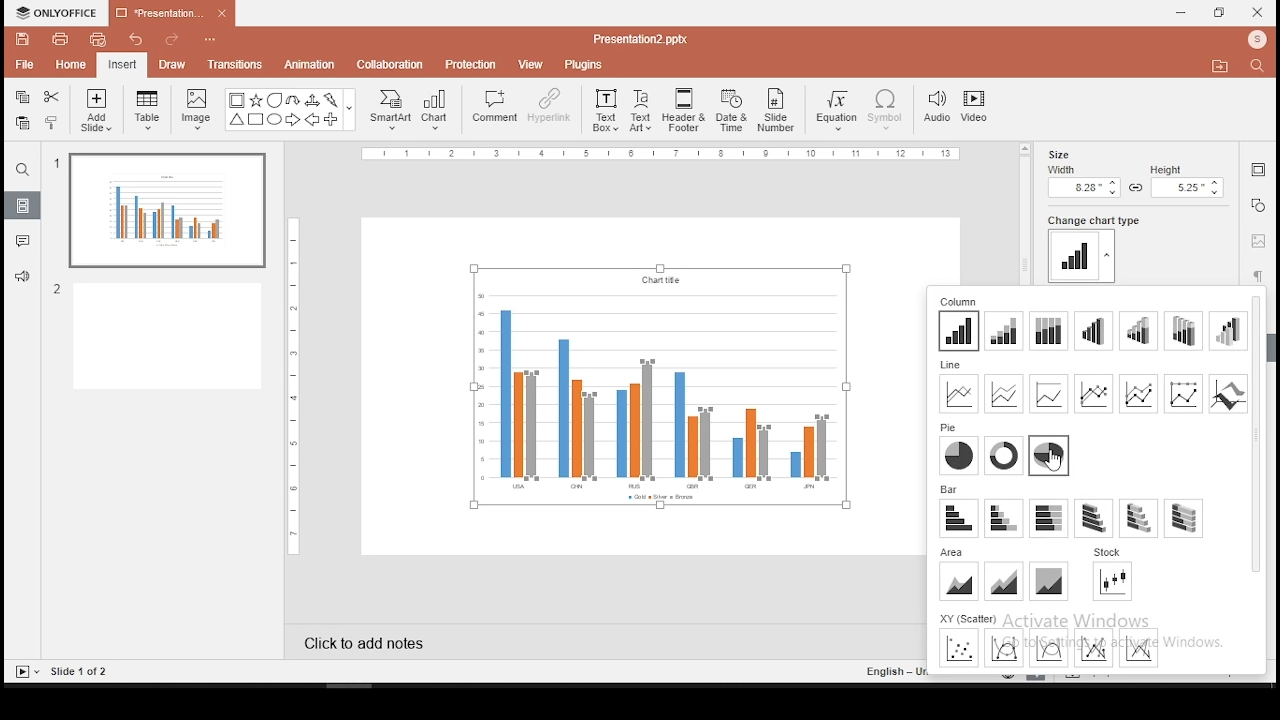  What do you see at coordinates (1182, 331) in the screenshot?
I see `6` at bounding box center [1182, 331].